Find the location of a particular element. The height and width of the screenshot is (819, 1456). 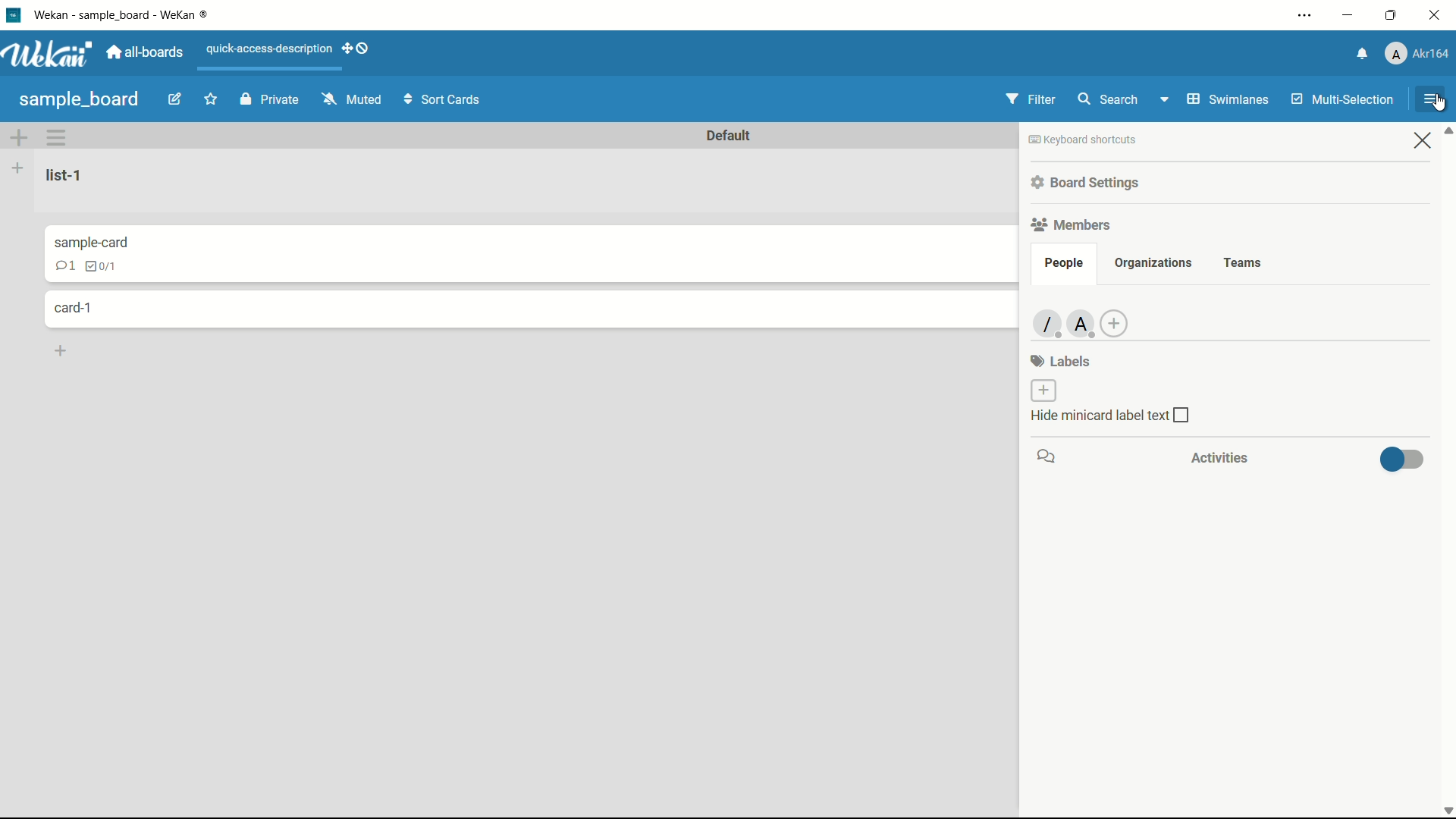

private is located at coordinates (268, 100).